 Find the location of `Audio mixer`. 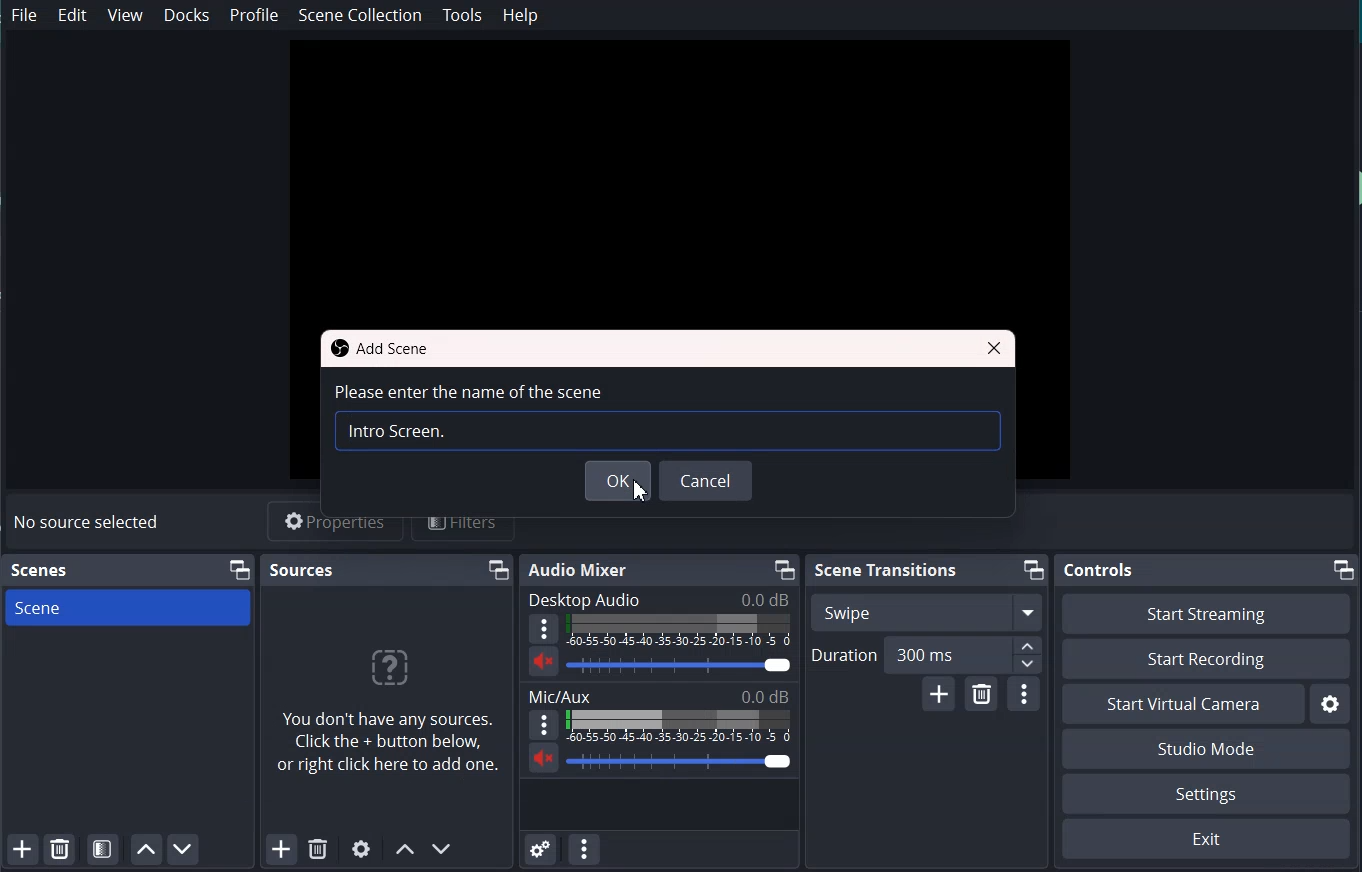

Audio mixer is located at coordinates (580, 570).